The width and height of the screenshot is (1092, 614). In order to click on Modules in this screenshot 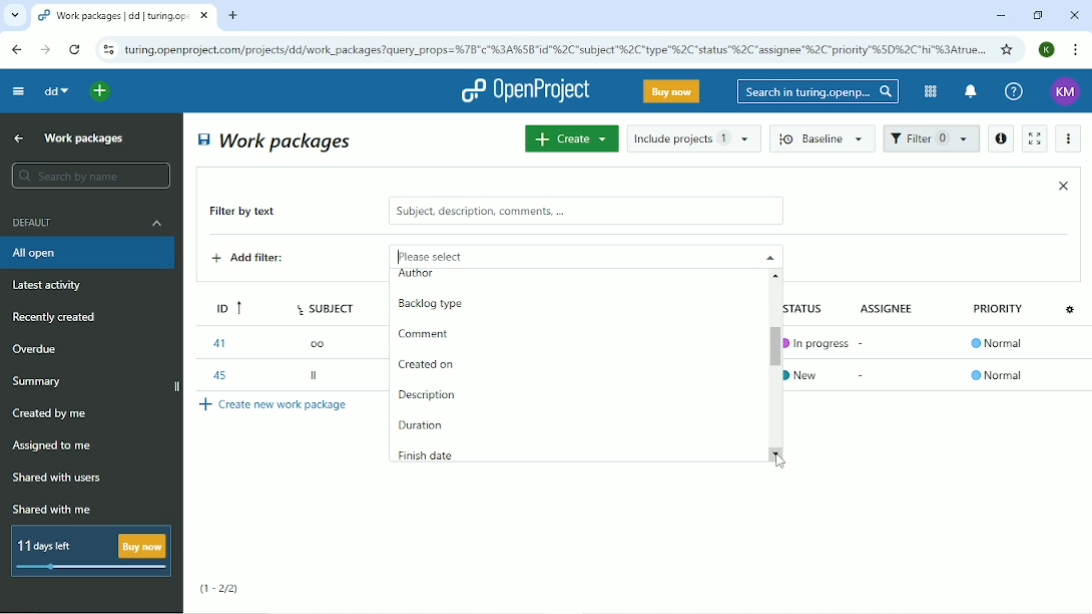, I will do `click(928, 91)`.